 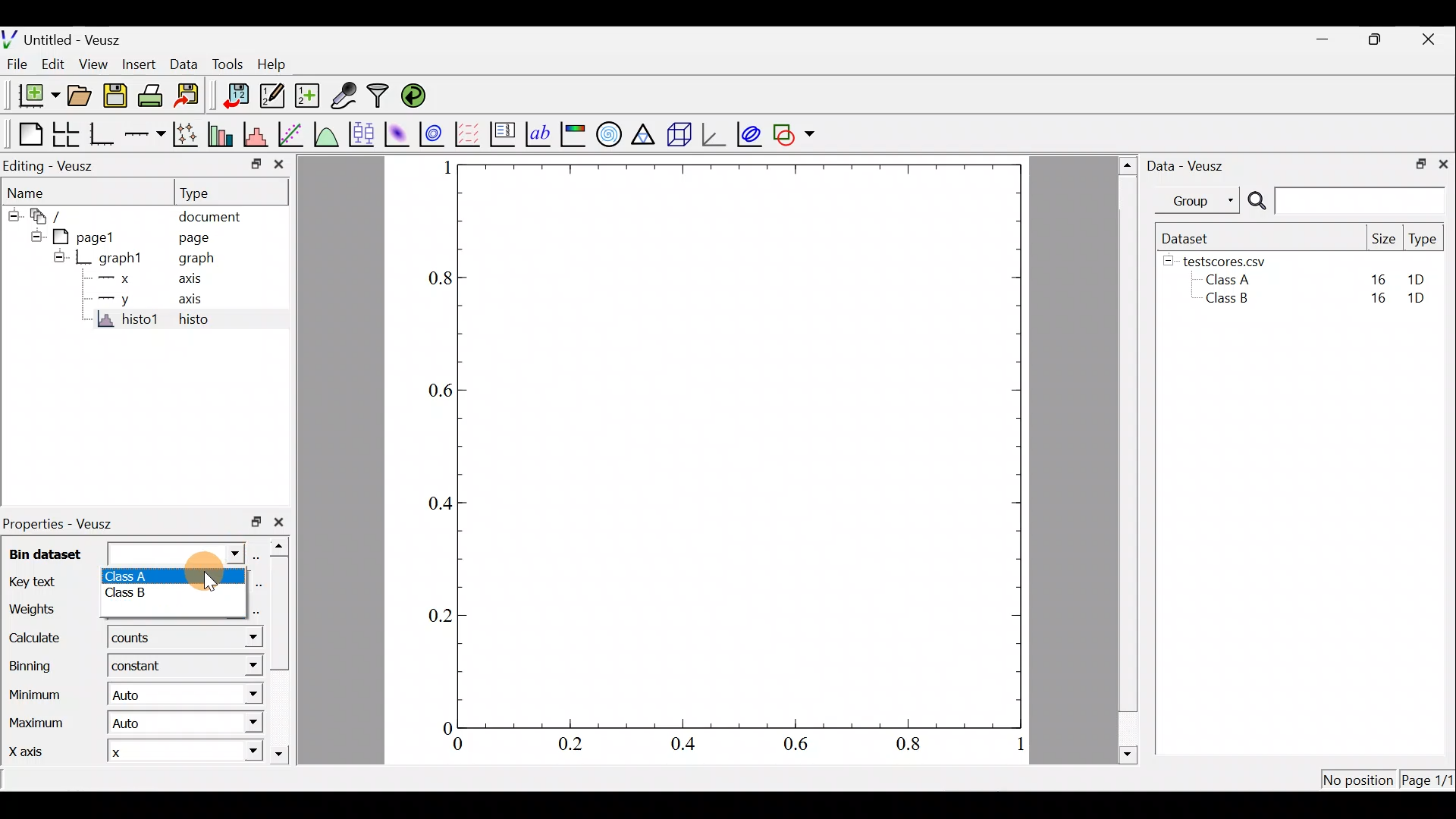 What do you see at coordinates (260, 557) in the screenshot?
I see `select using dataset browser` at bounding box center [260, 557].